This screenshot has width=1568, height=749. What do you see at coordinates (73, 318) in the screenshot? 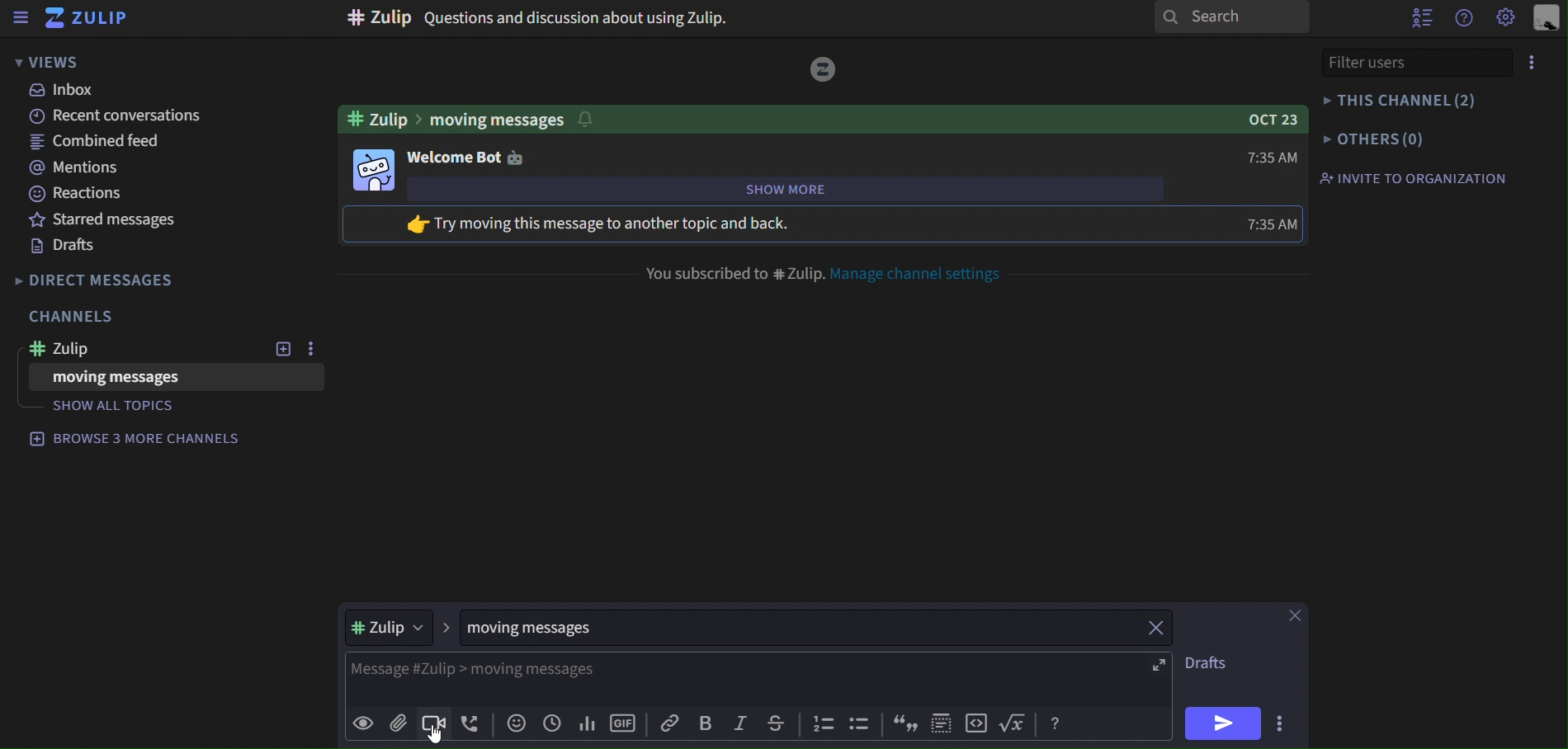
I see `channels` at bounding box center [73, 318].